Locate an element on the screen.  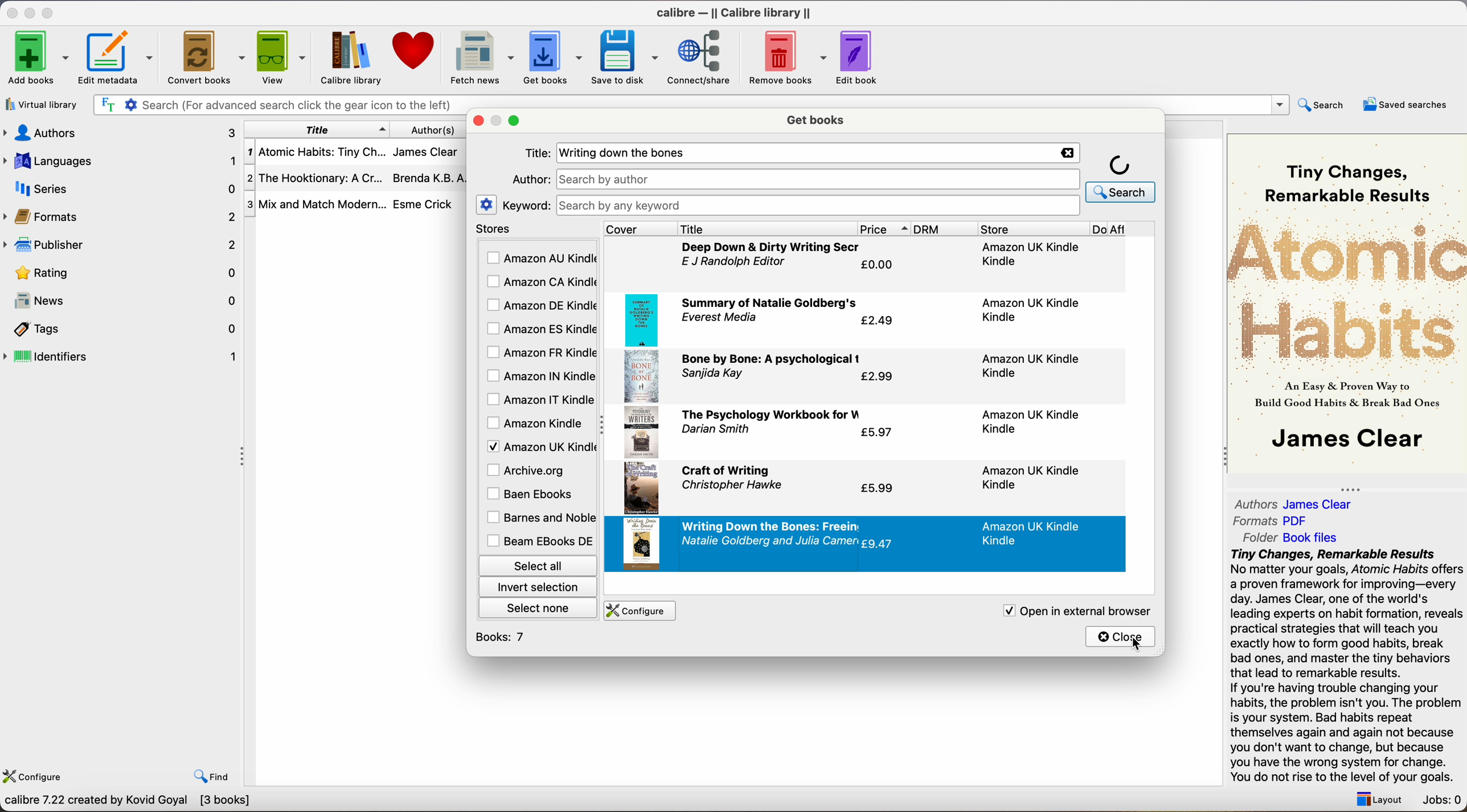
keyword is located at coordinates (526, 205).